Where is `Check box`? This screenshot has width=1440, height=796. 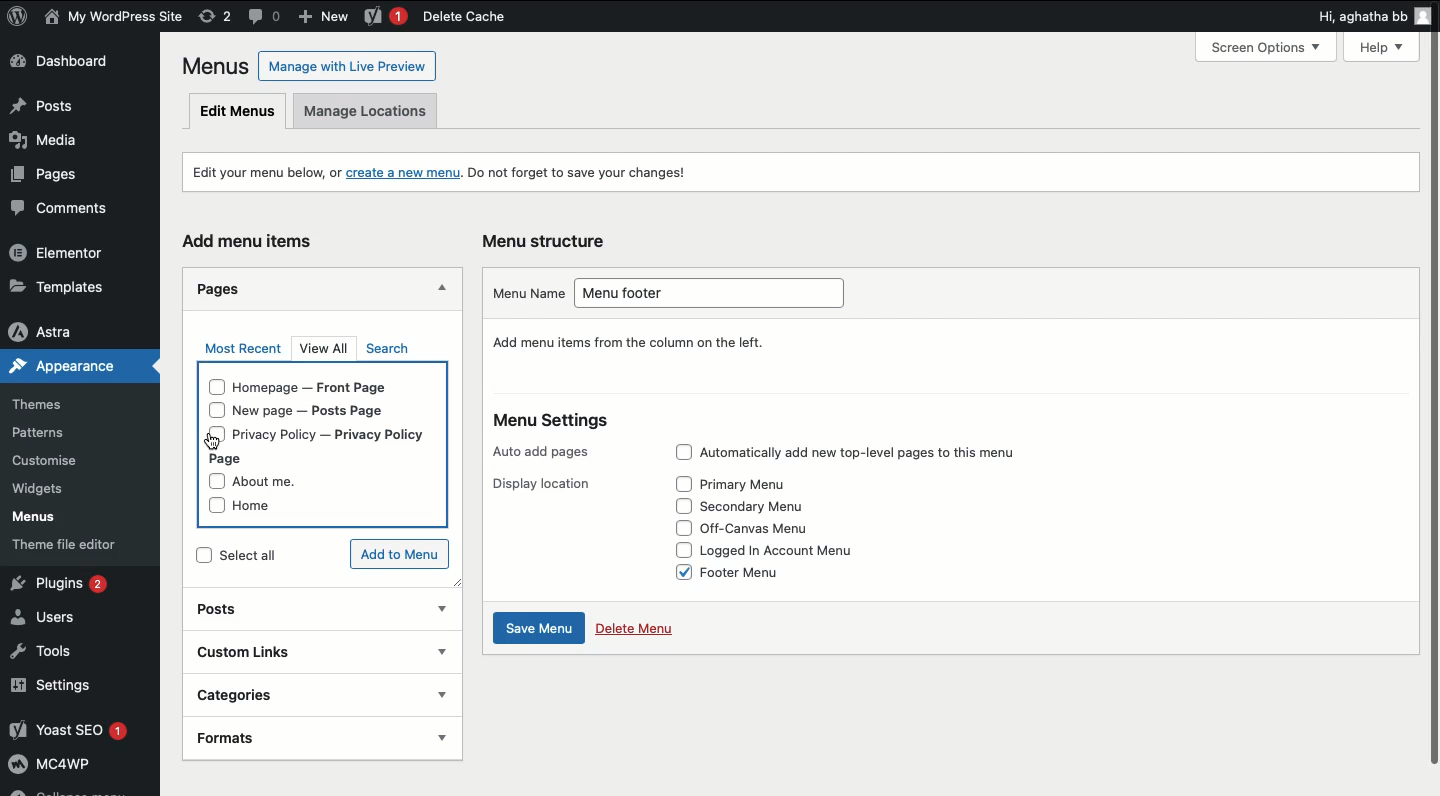
Check box is located at coordinates (681, 505).